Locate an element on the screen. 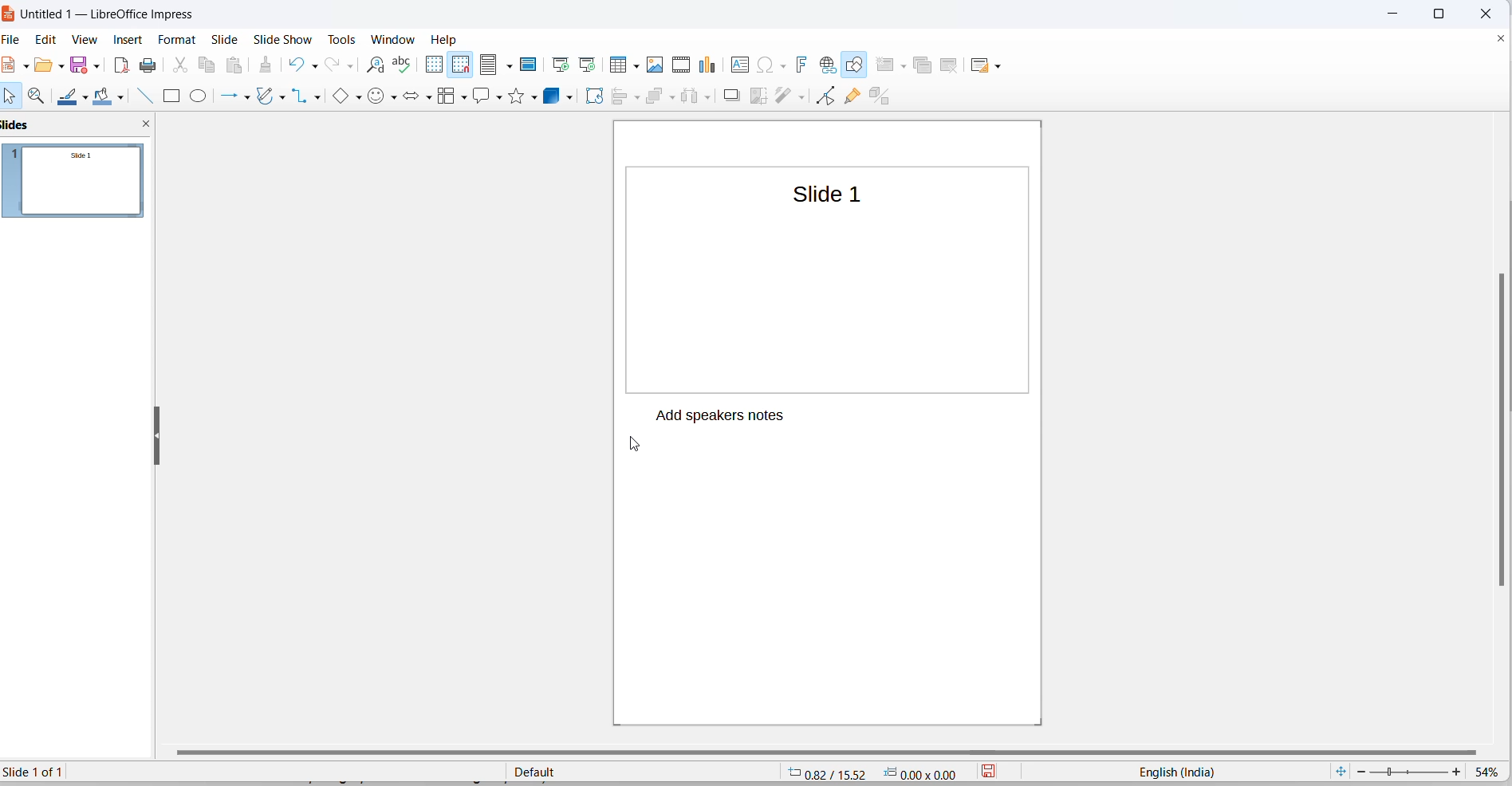 The width and height of the screenshot is (1512, 786). text language is located at coordinates (1177, 772).